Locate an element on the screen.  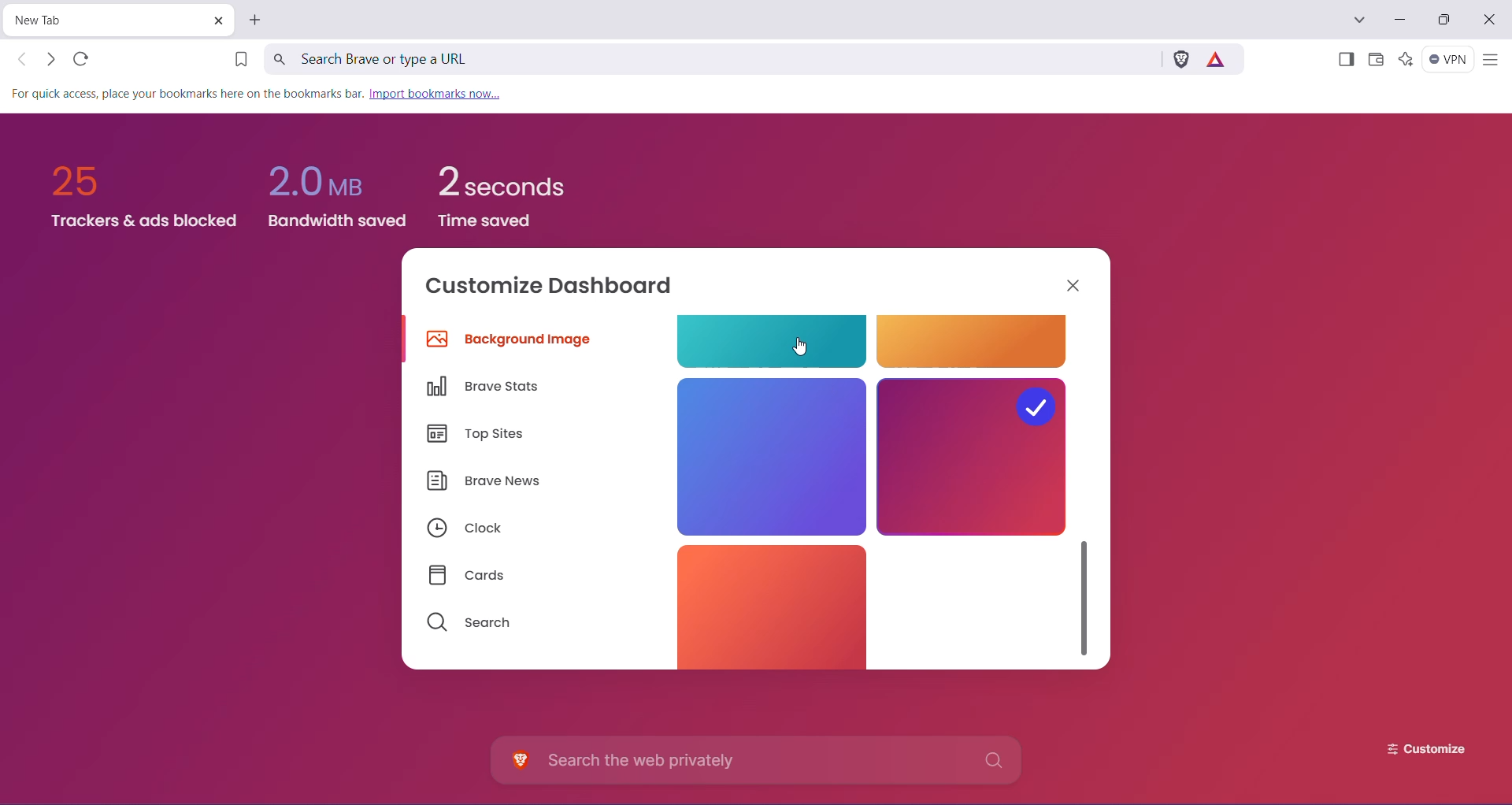
Search the Web privately is located at coordinates (760, 760).